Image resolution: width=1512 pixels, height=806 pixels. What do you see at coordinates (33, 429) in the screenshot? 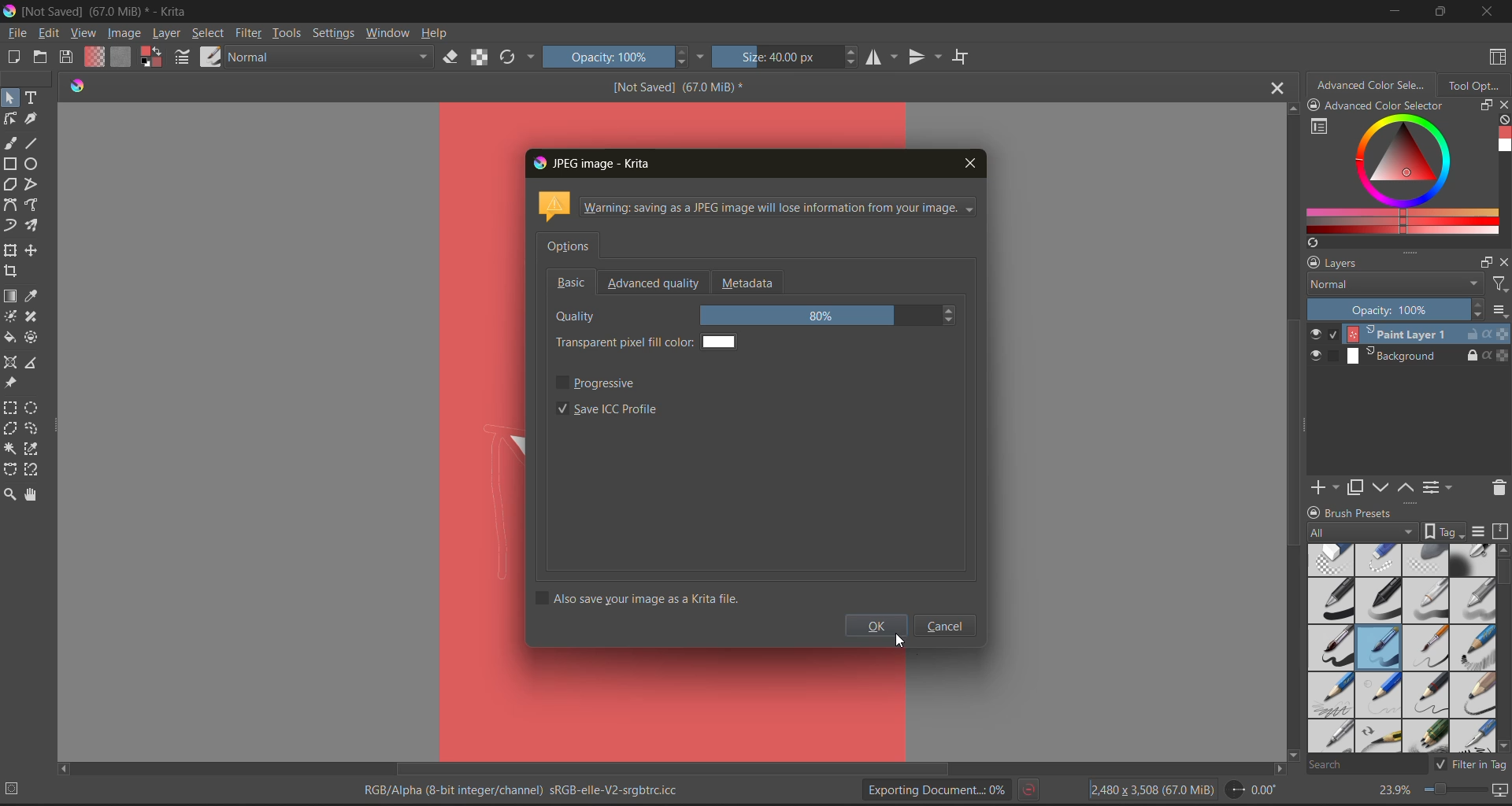
I see `tools` at bounding box center [33, 429].